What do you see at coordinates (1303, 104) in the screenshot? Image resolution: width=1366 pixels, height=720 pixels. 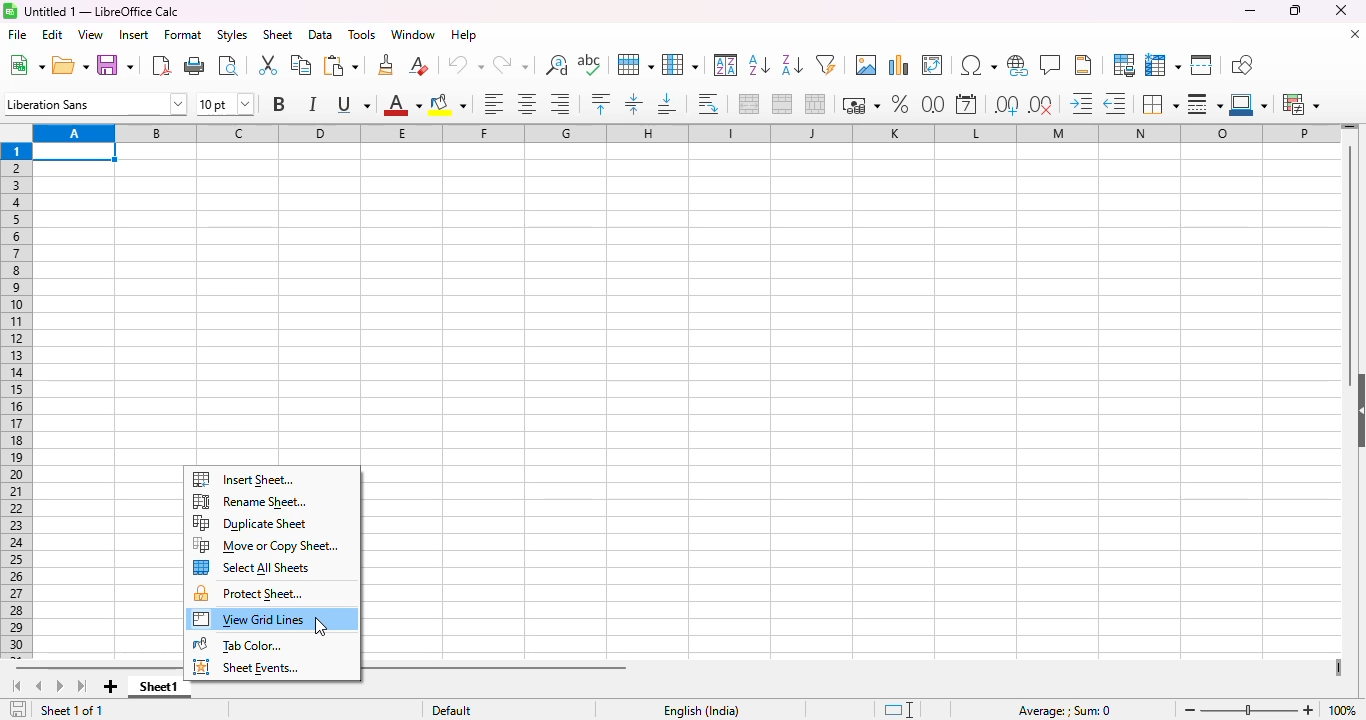 I see `conditional` at bounding box center [1303, 104].